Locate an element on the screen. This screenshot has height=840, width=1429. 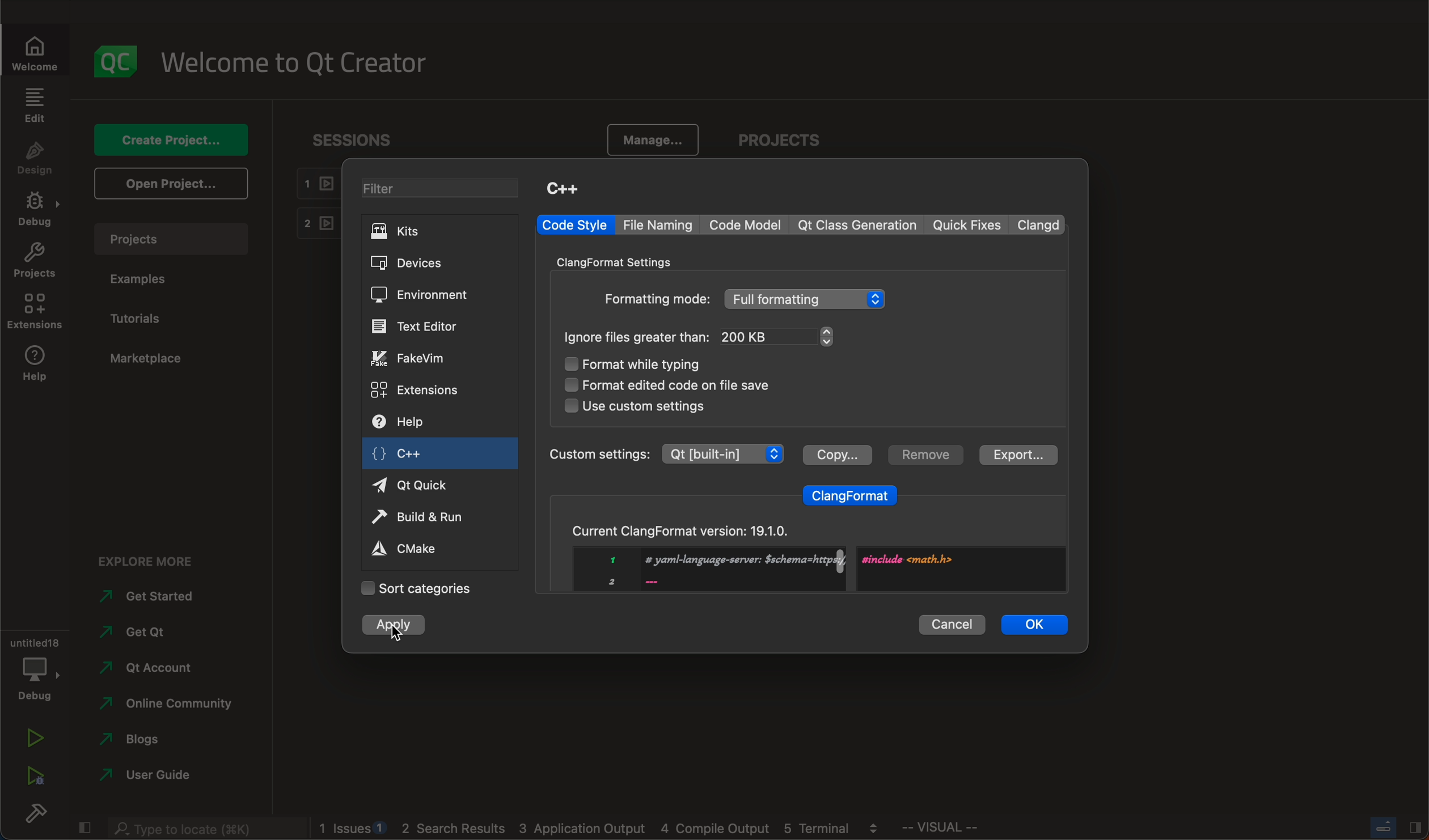
cancel is located at coordinates (952, 622).